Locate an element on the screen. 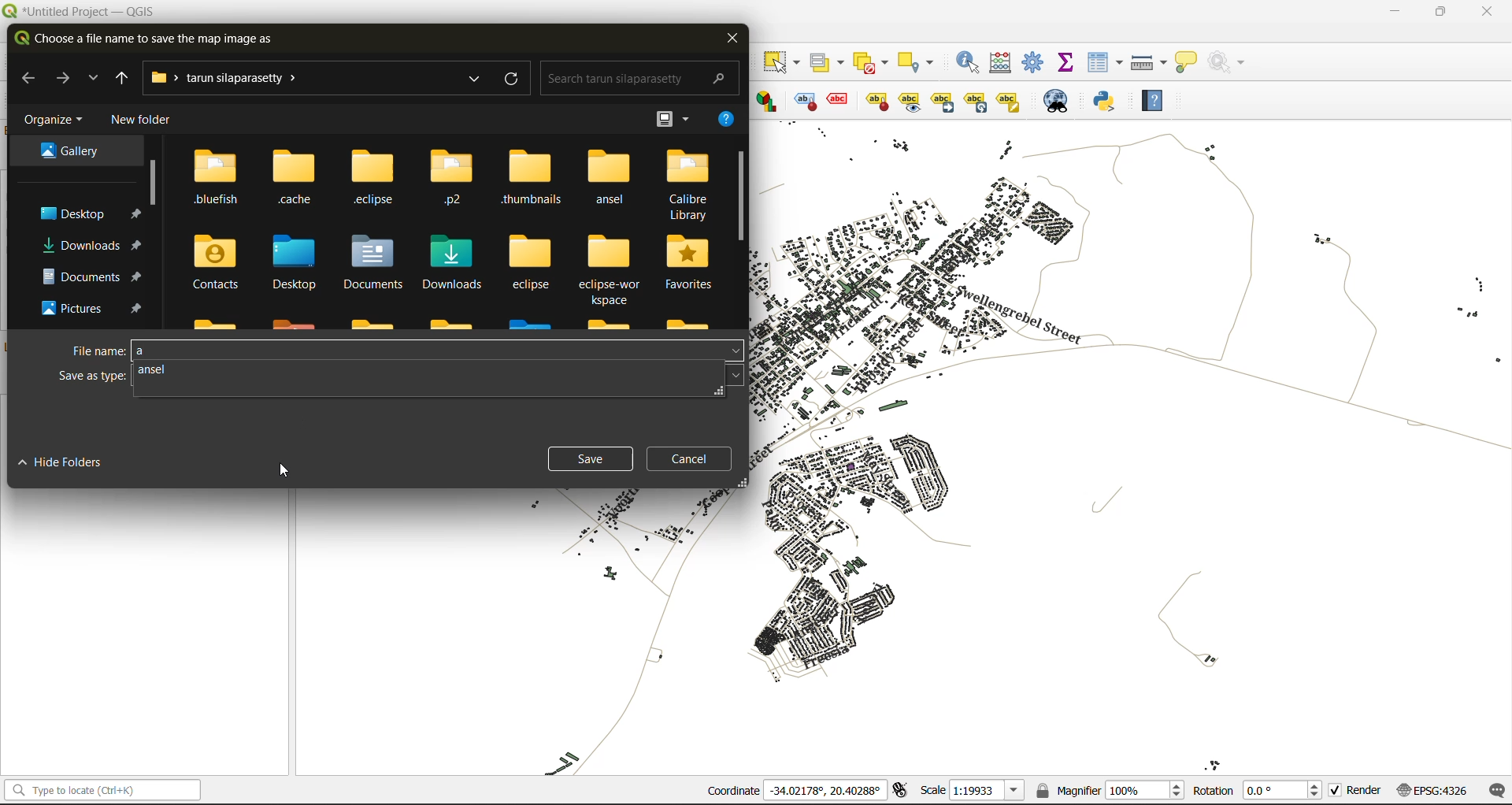 The image size is (1512, 805). Move a label, diagrams or callout is located at coordinates (943, 101).